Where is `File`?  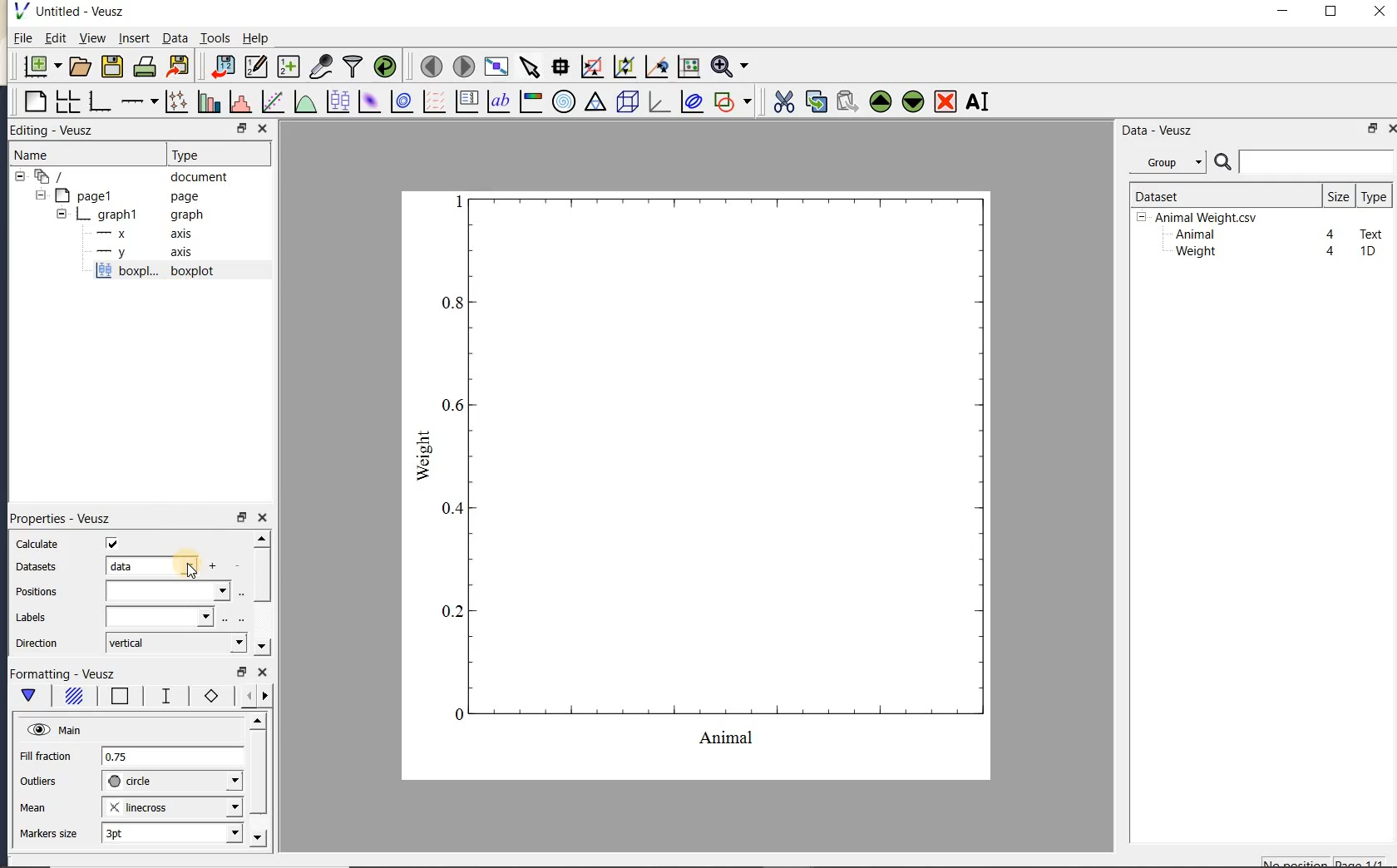 File is located at coordinates (23, 38).